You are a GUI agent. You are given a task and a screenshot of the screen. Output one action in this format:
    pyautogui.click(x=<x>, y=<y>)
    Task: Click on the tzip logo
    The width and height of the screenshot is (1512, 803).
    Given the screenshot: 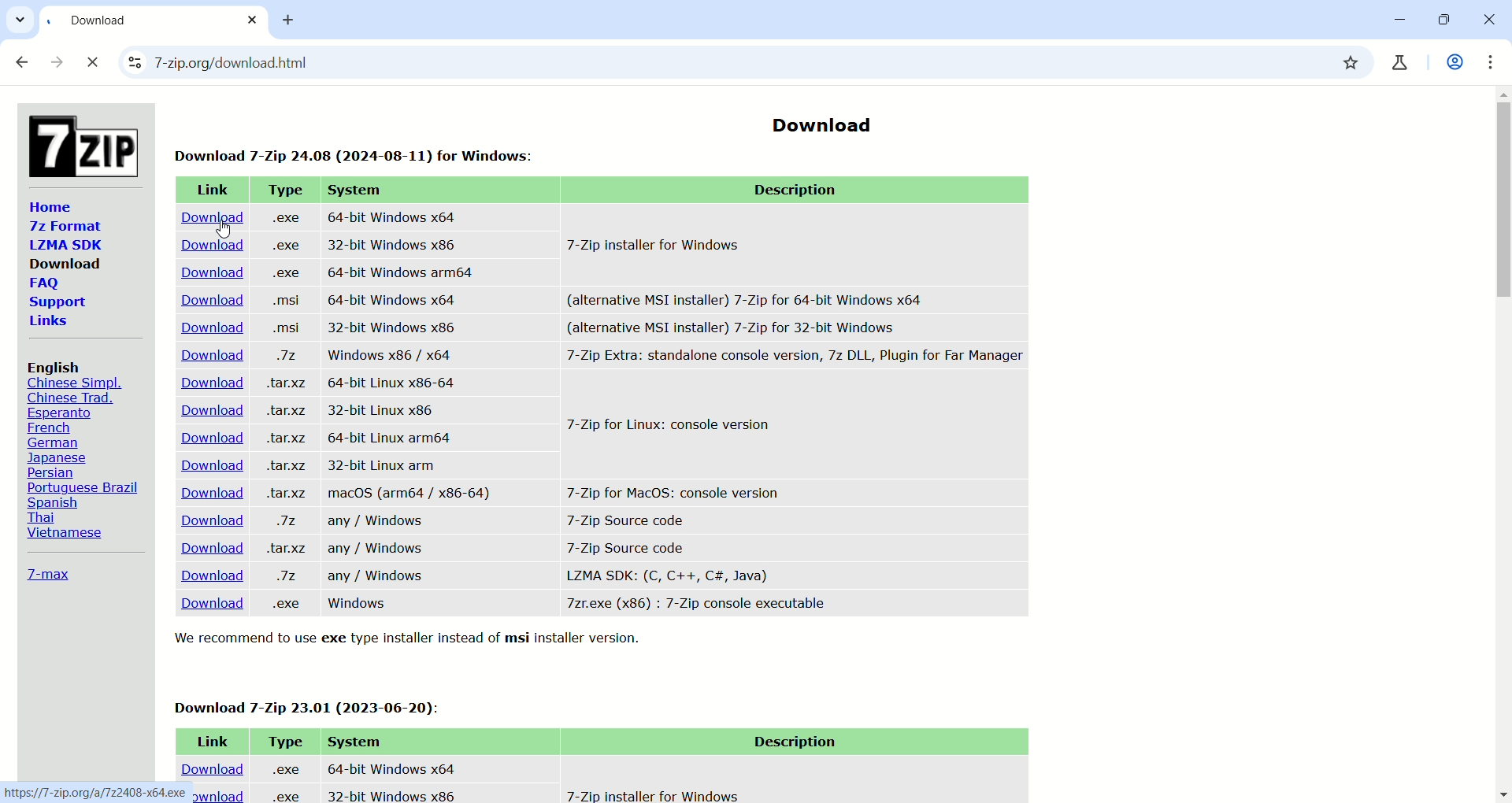 What is the action you would take?
    pyautogui.click(x=80, y=142)
    